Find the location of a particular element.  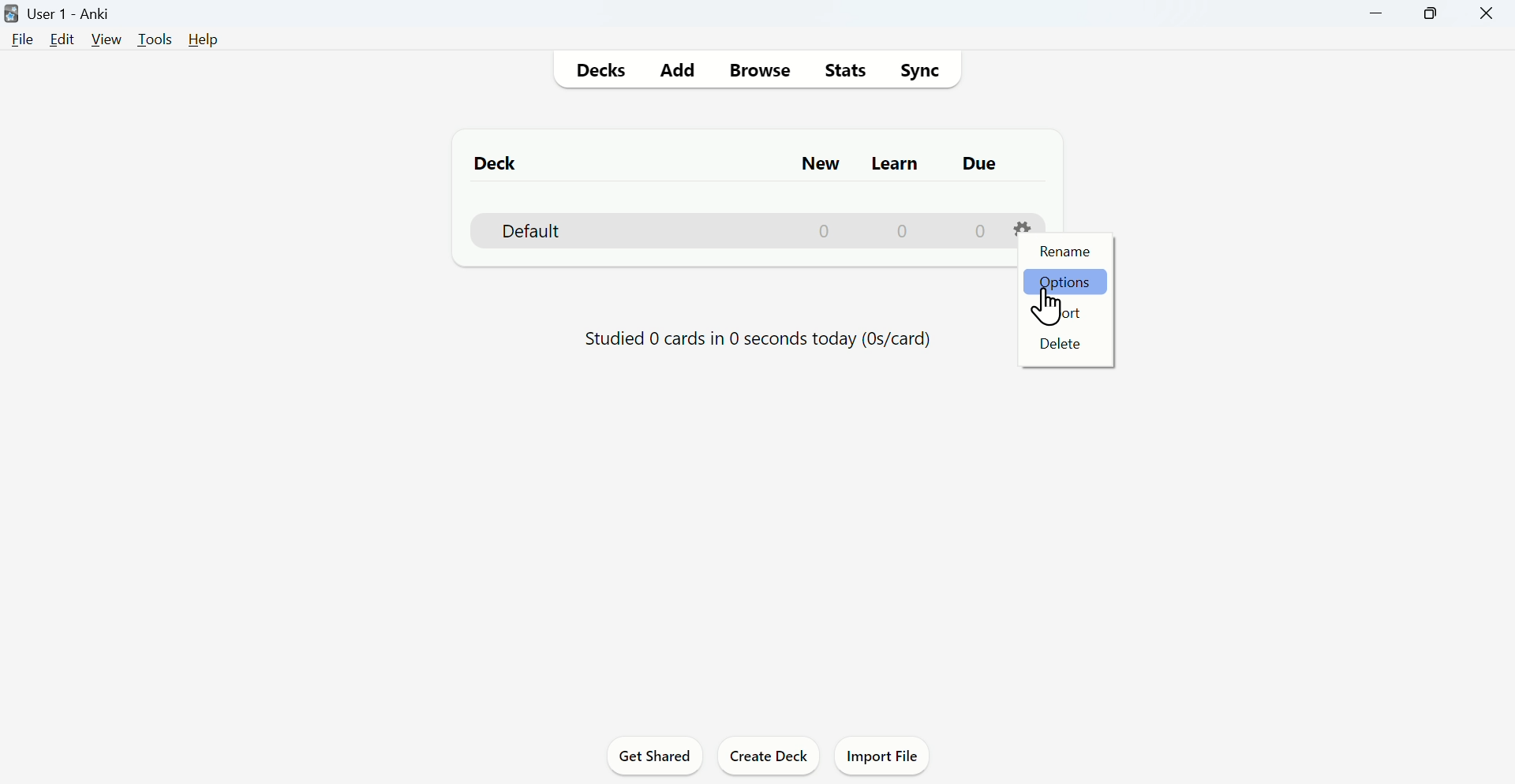

Minimize is located at coordinates (1377, 14).